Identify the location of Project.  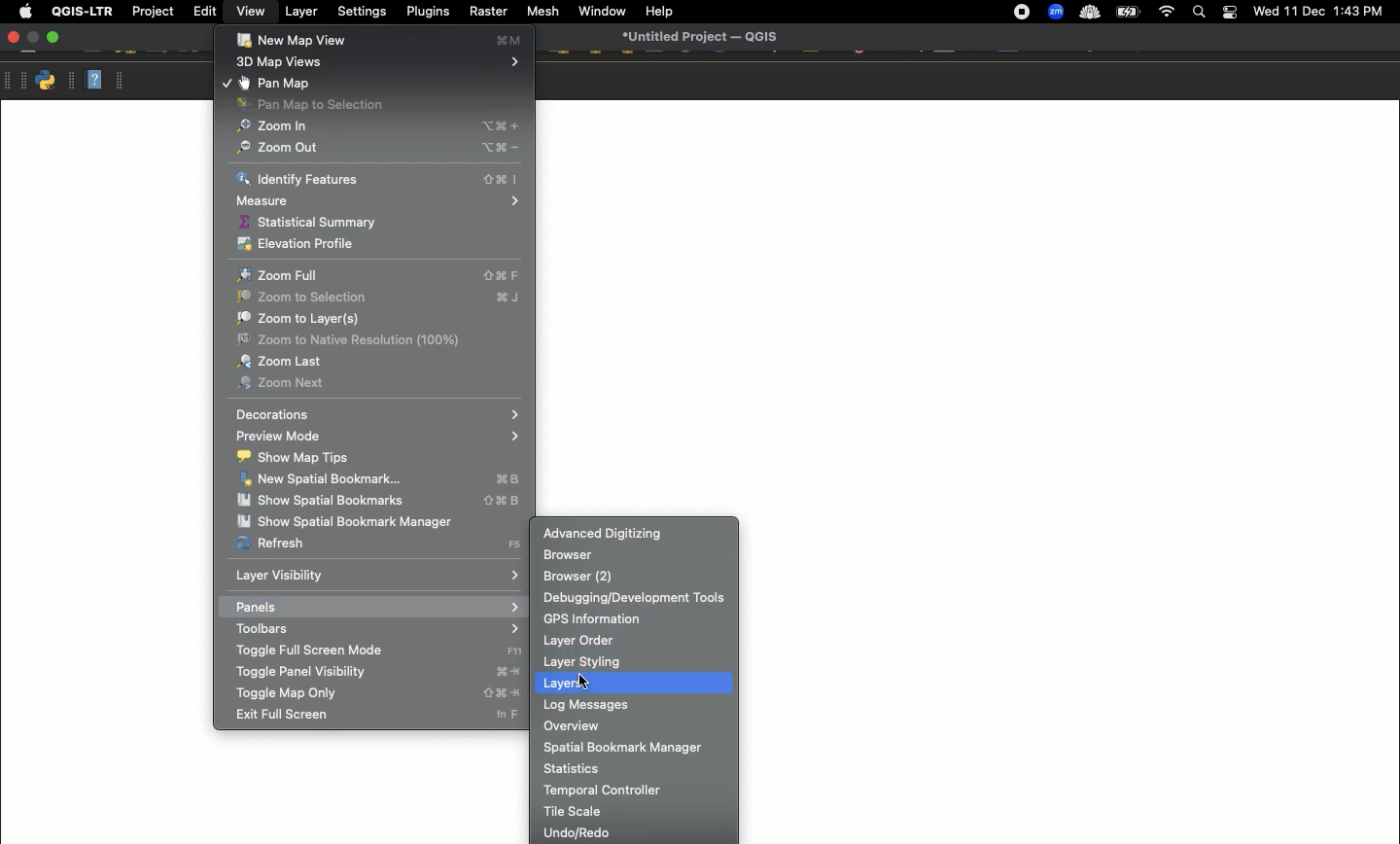
(153, 13).